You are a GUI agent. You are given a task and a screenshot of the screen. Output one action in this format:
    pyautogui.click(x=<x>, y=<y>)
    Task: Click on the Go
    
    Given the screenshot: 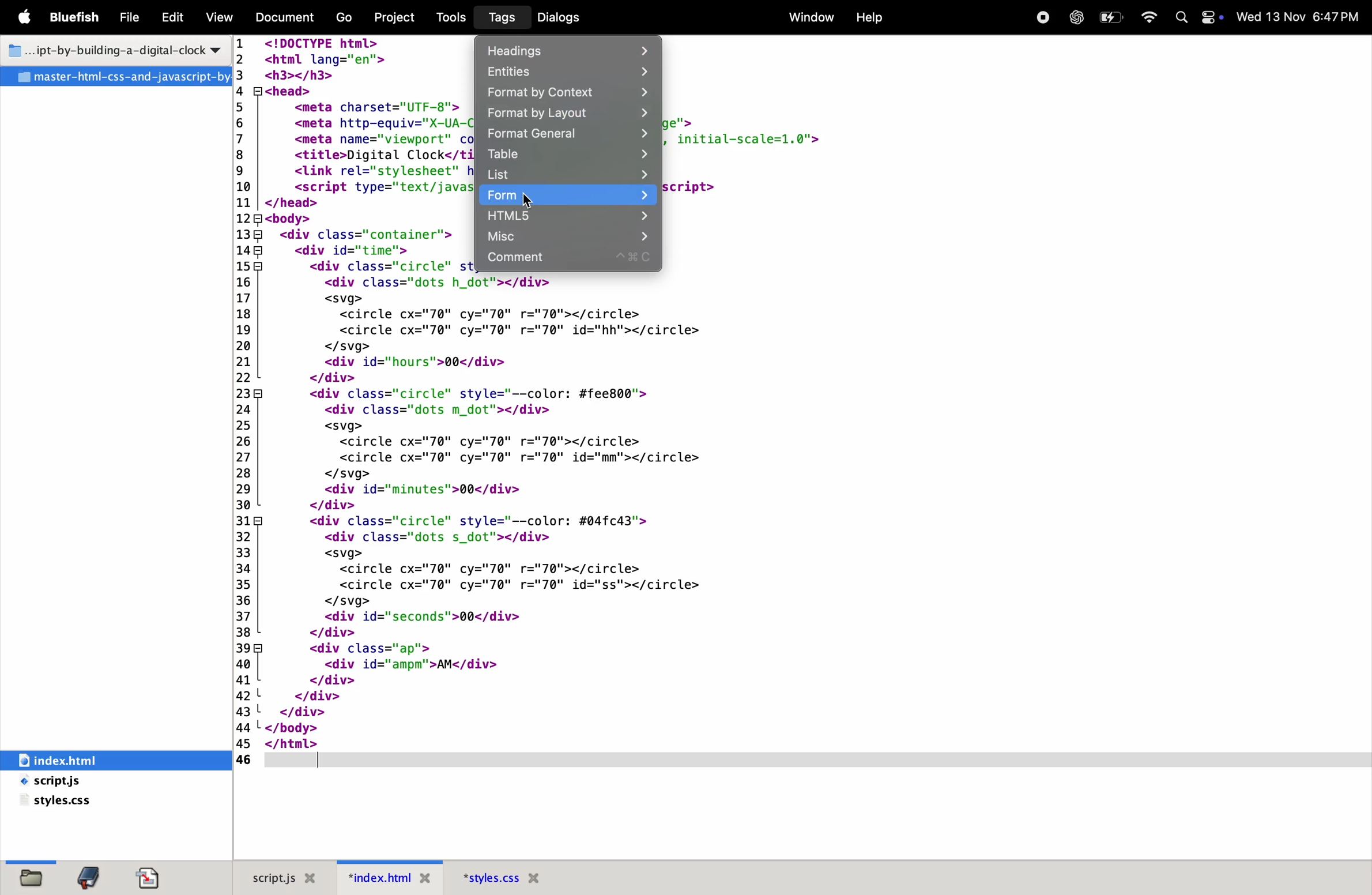 What is the action you would take?
    pyautogui.click(x=342, y=17)
    